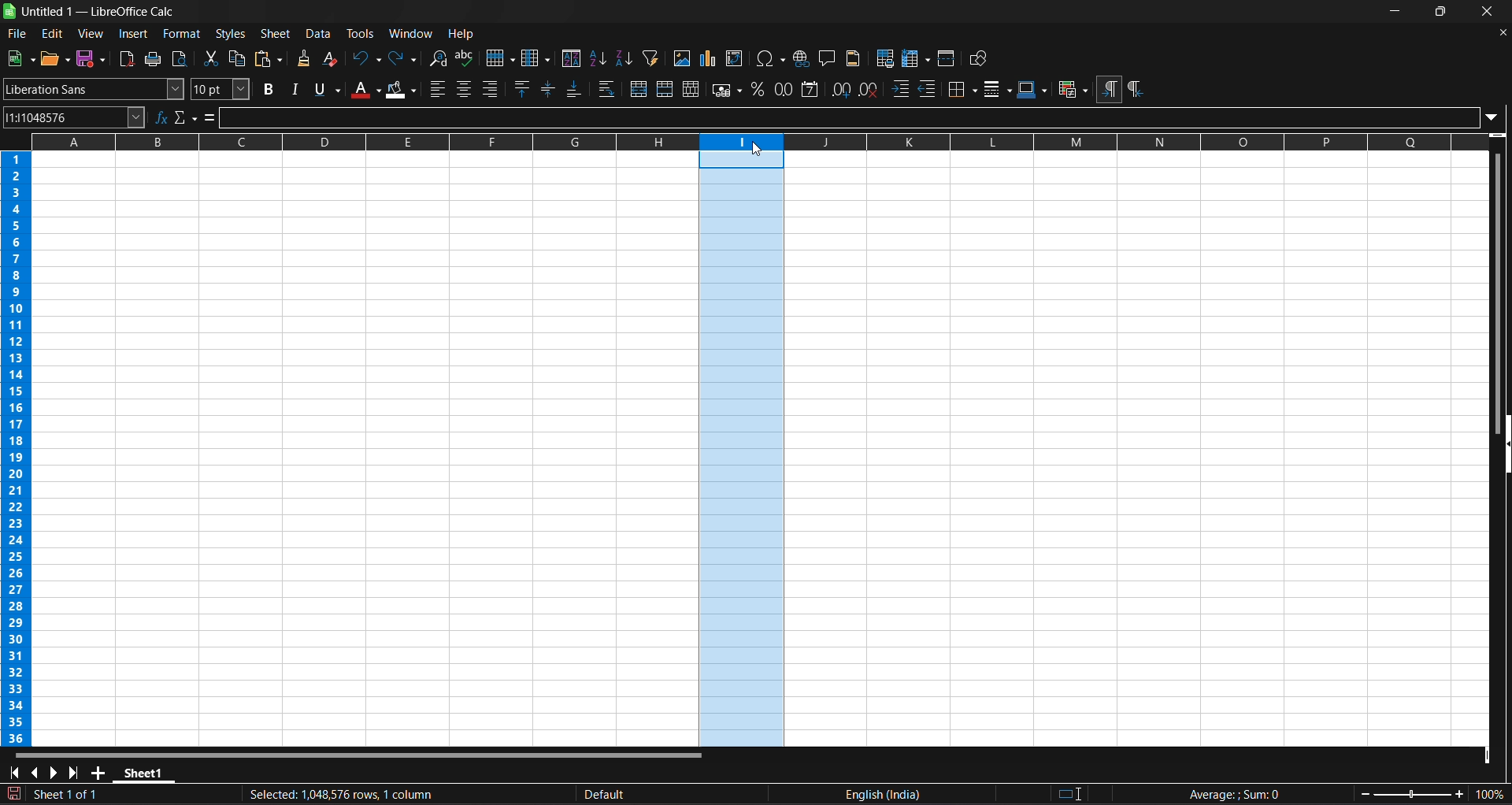 This screenshot has width=1512, height=805. What do you see at coordinates (710, 57) in the screenshot?
I see `insert chart` at bounding box center [710, 57].